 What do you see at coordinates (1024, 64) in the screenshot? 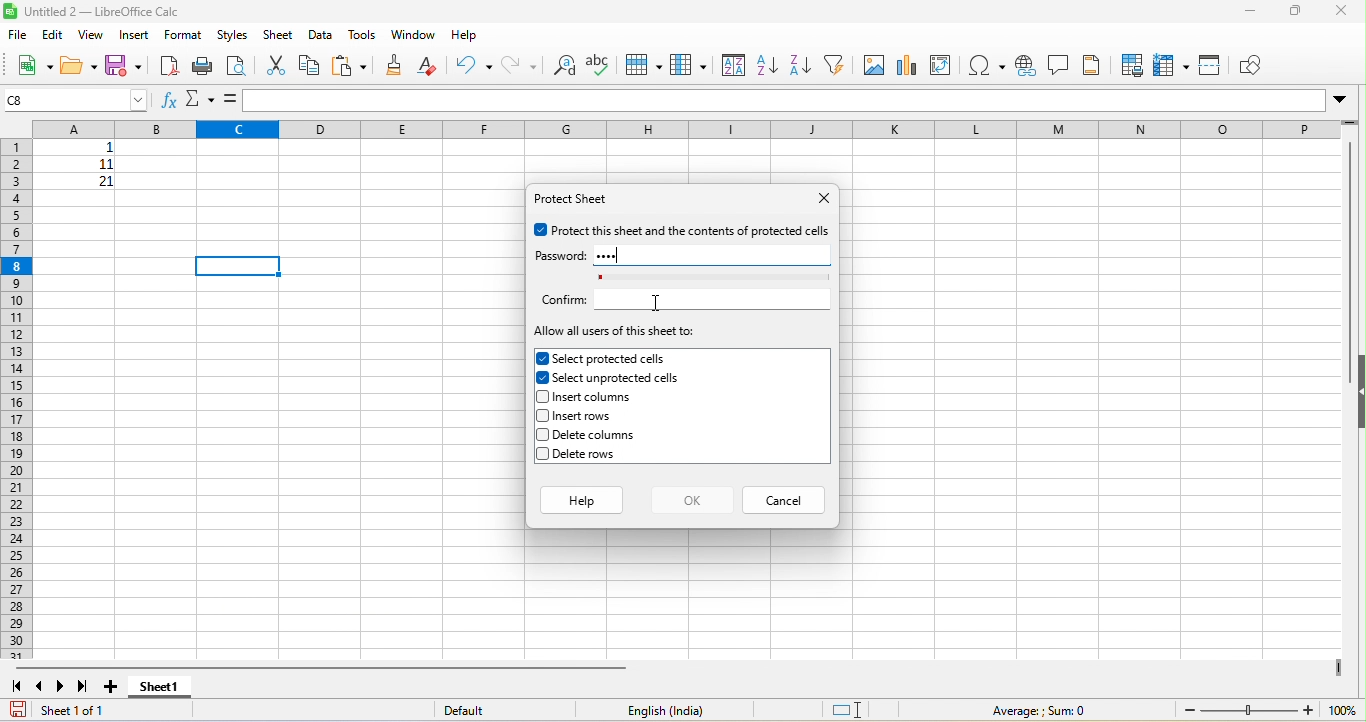
I see `hyperlink` at bounding box center [1024, 64].